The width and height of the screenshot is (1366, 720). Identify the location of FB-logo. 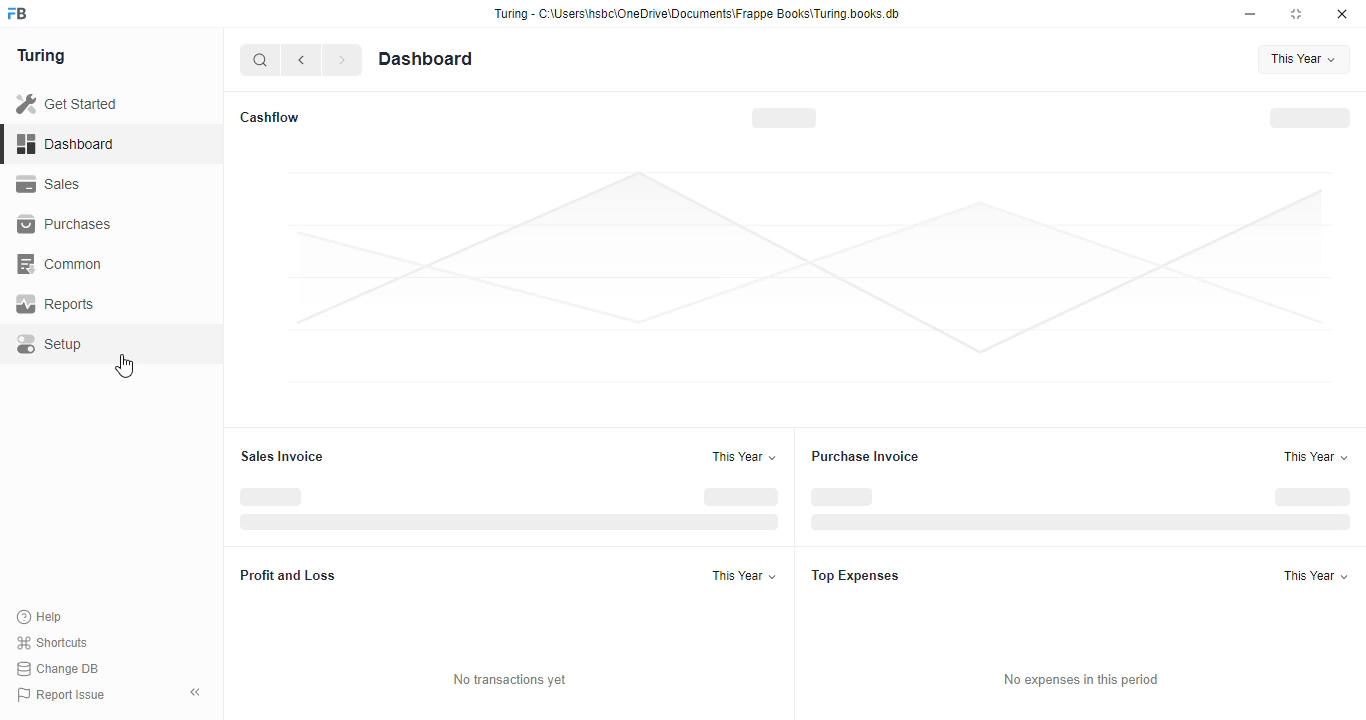
(17, 13).